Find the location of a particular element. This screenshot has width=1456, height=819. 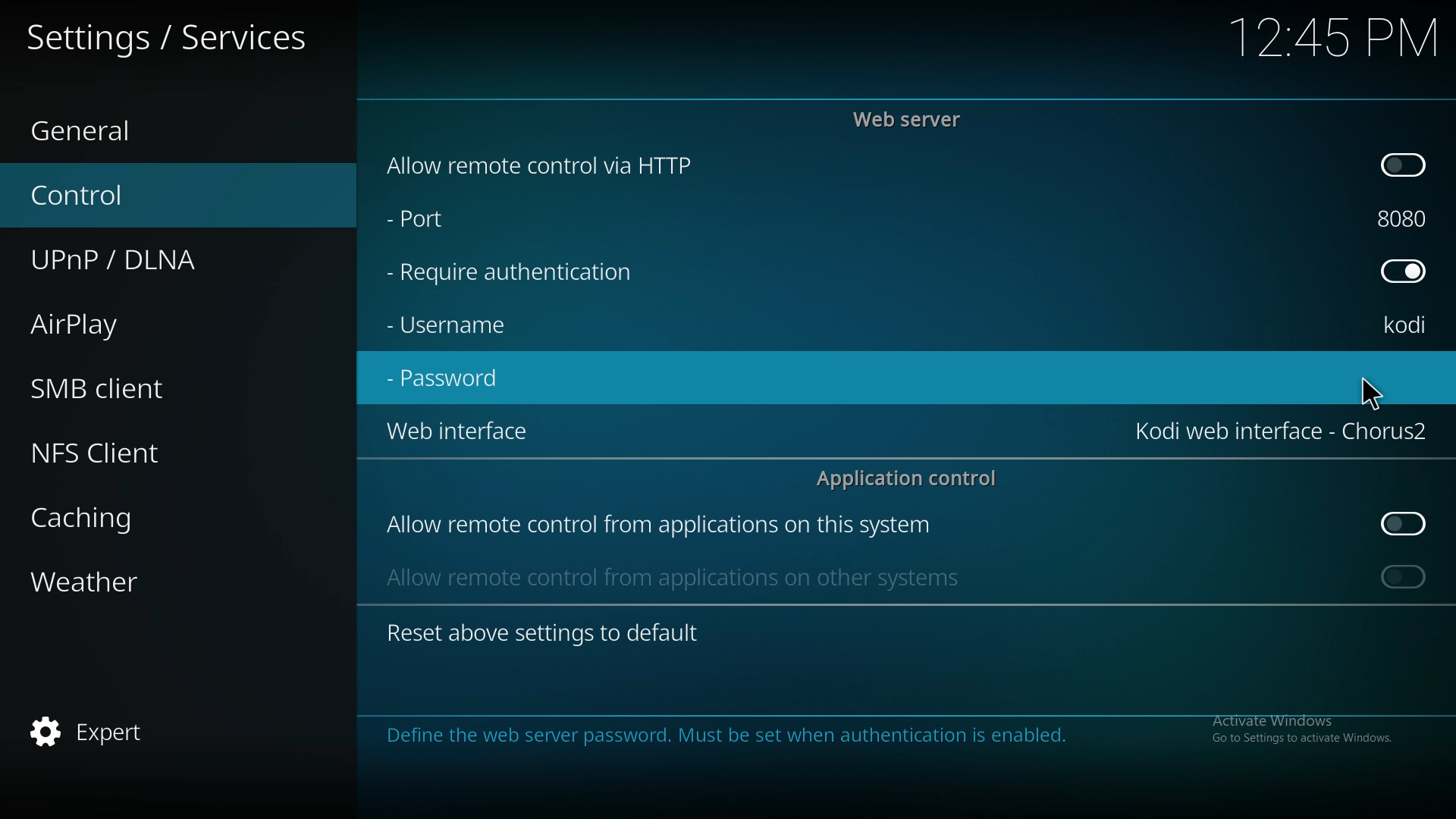

password is located at coordinates (450, 377).